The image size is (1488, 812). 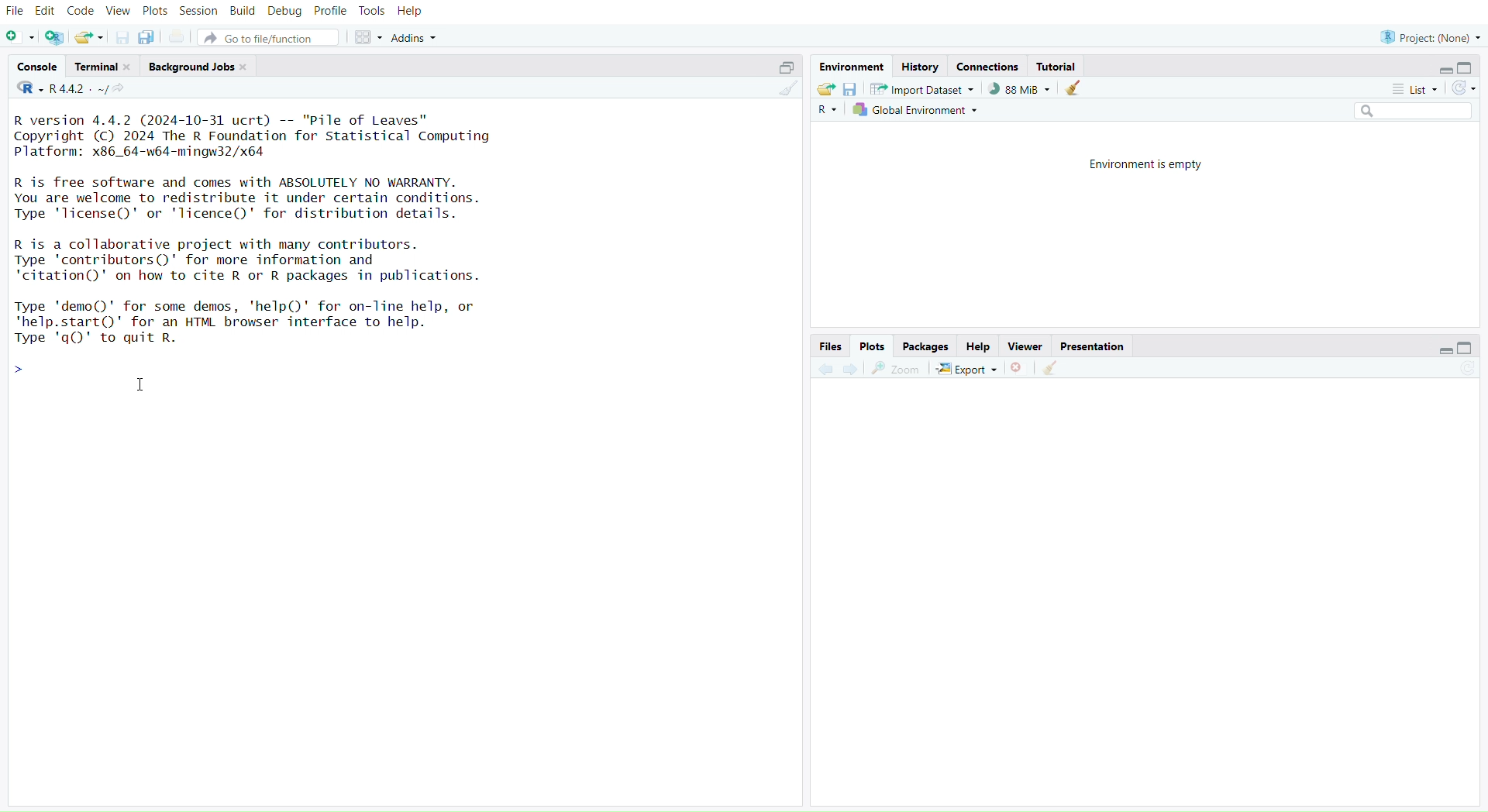 I want to click on collapse, so click(x=1469, y=68).